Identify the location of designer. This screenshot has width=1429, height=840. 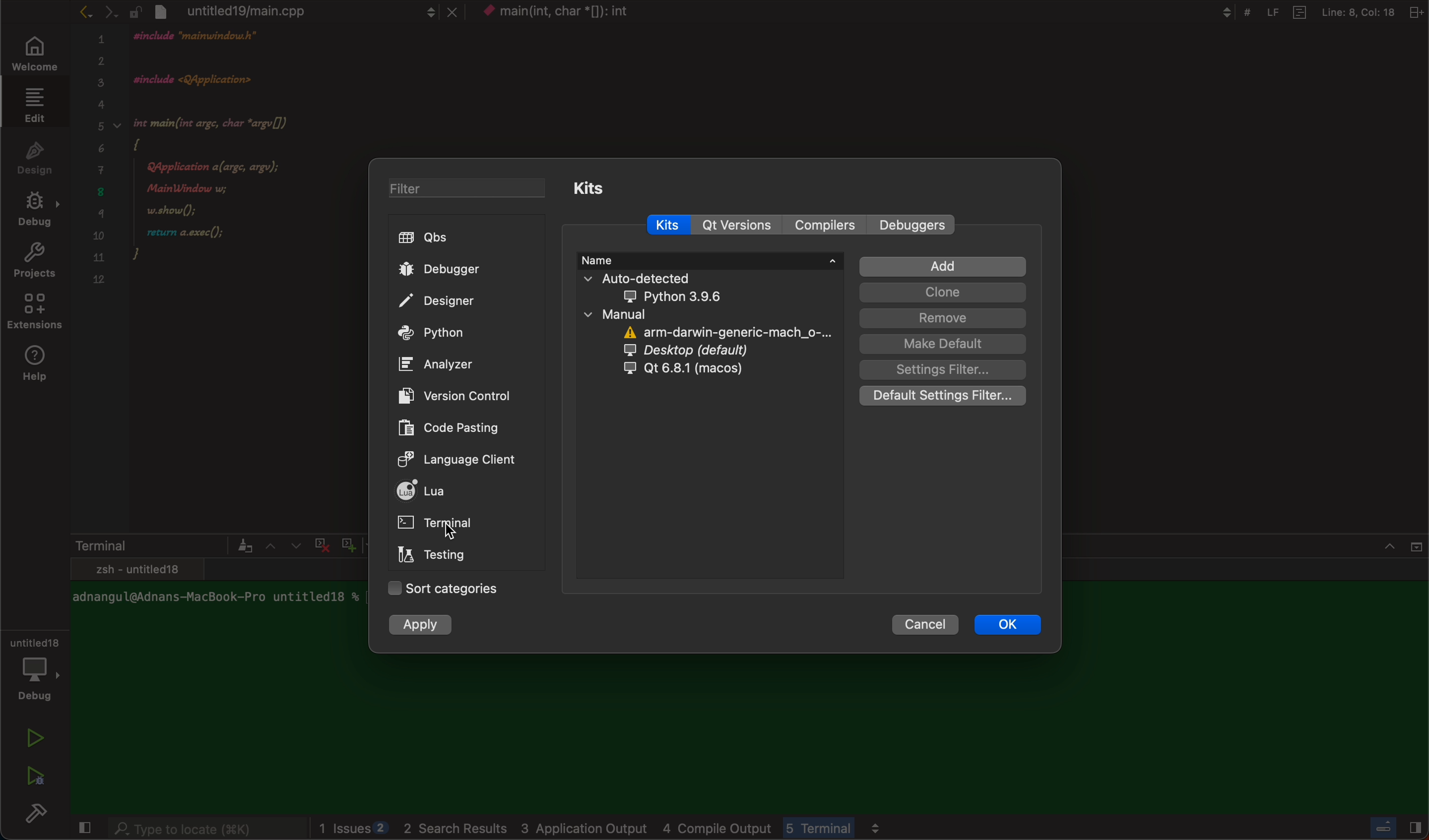
(456, 302).